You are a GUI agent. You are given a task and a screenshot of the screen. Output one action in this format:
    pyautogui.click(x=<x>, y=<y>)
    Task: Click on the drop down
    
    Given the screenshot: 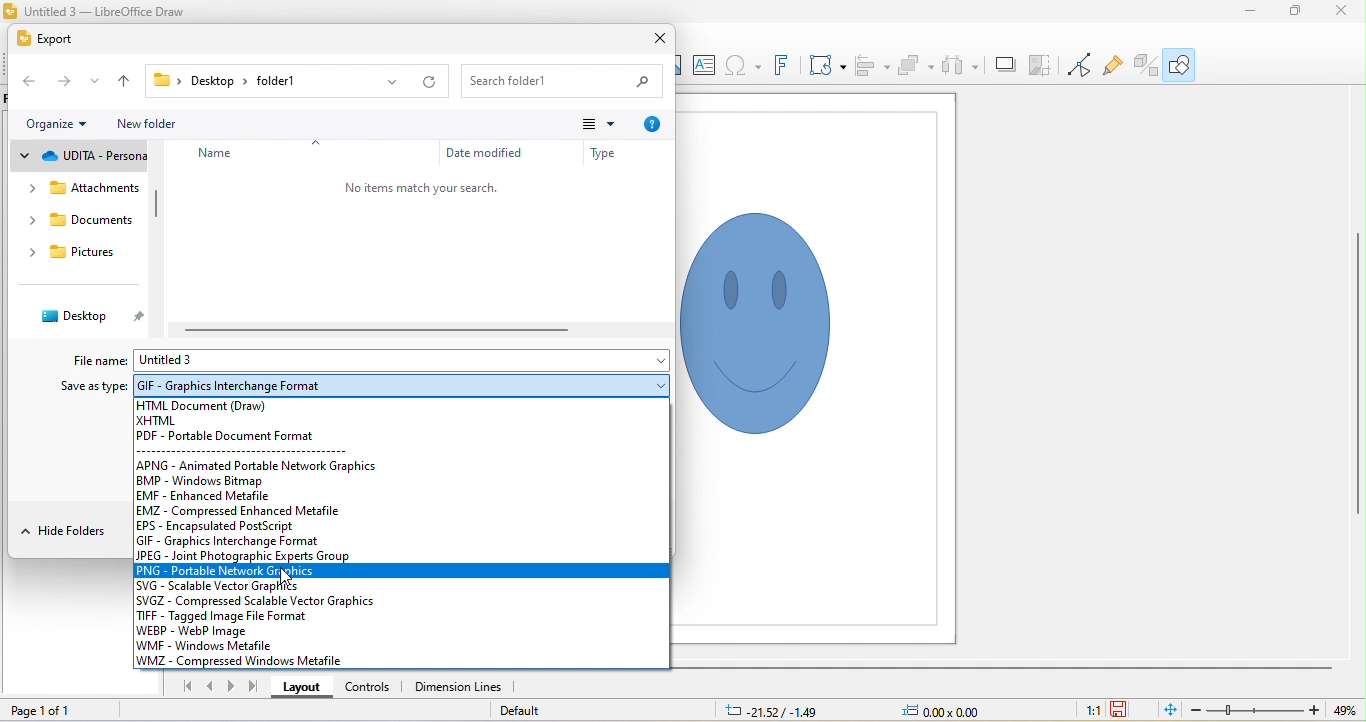 What is the action you would take?
    pyautogui.click(x=651, y=384)
    